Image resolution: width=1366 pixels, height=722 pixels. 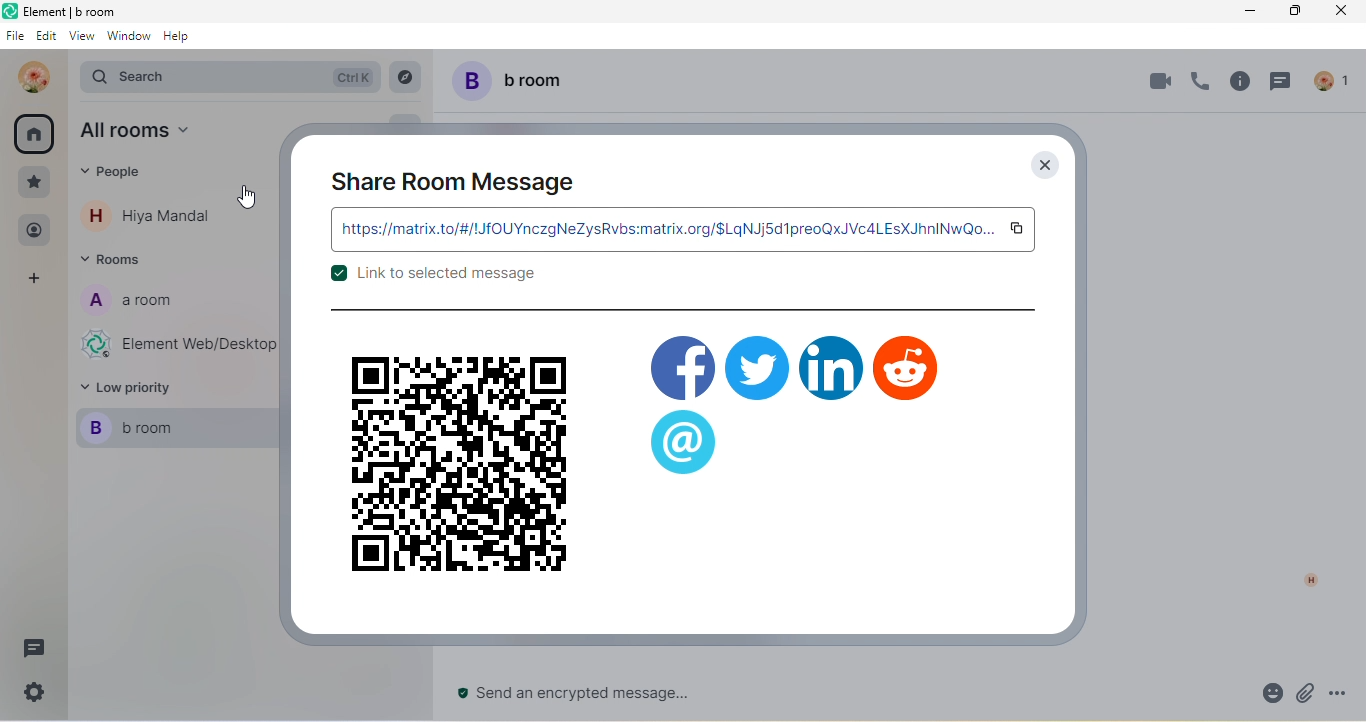 I want to click on copy link, so click(x=1018, y=229).